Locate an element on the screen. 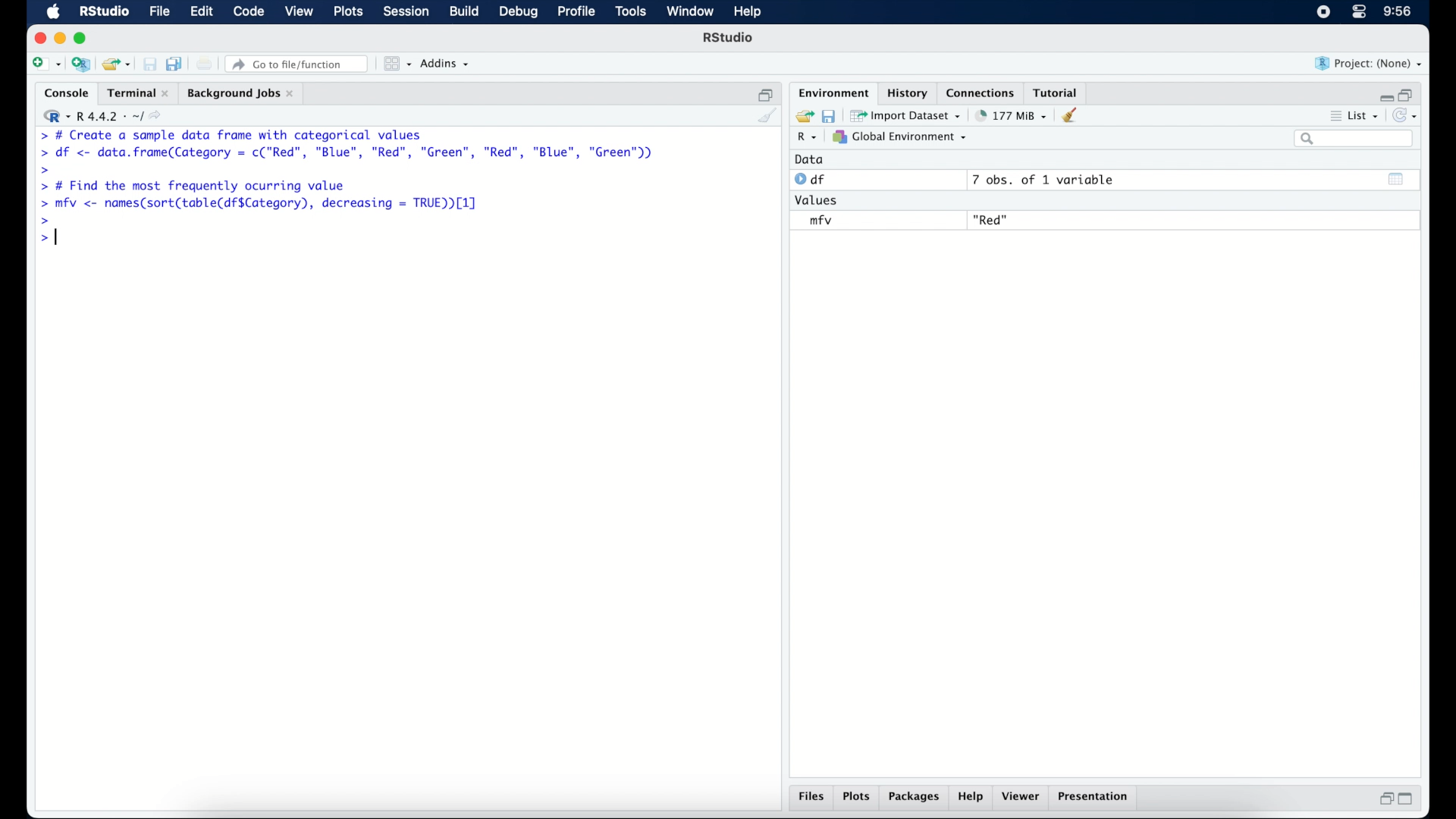 This screenshot has height=819, width=1456. session is located at coordinates (406, 12).